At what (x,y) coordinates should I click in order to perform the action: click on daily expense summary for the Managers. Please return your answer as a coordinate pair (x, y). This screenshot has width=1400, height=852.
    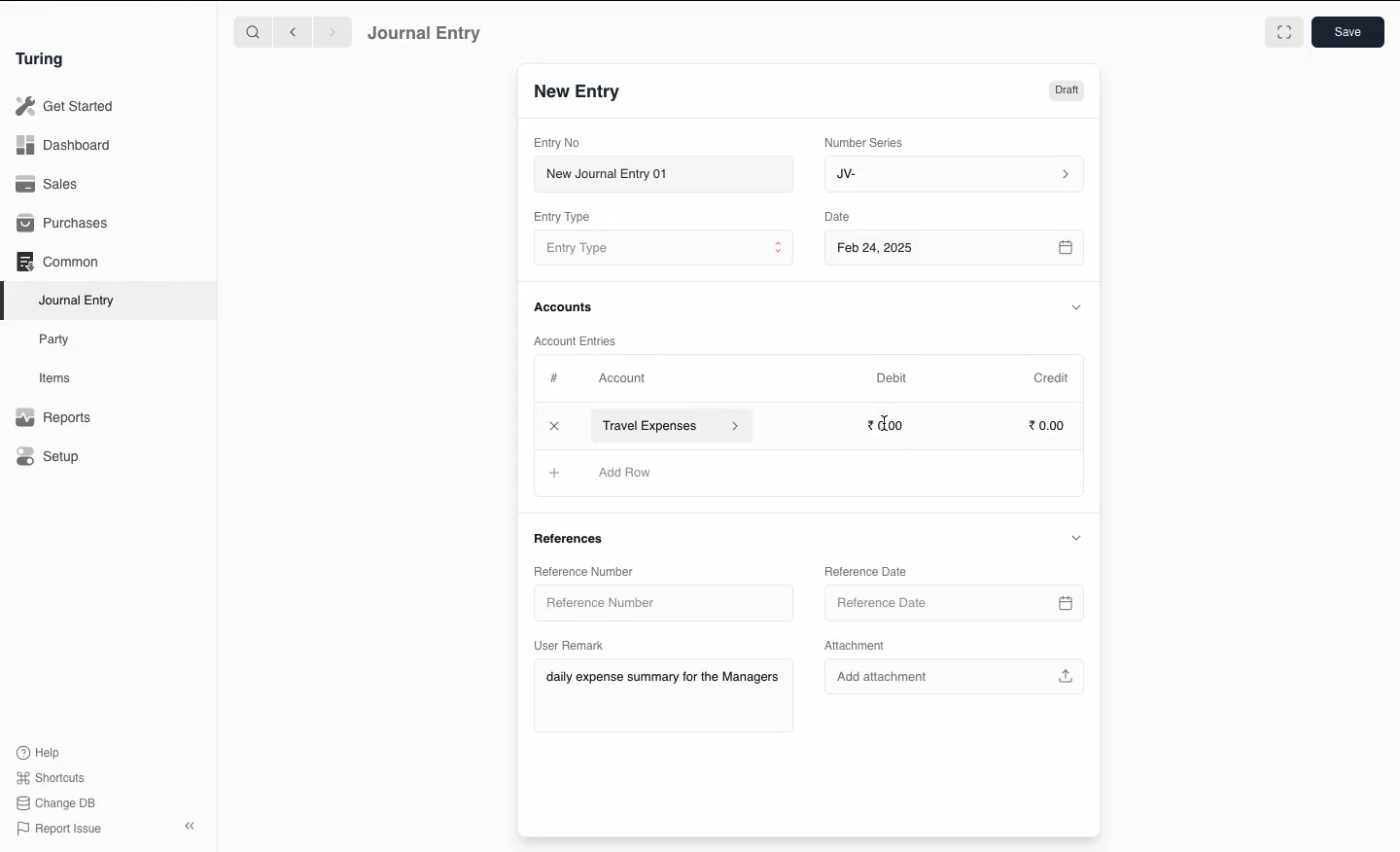
    Looking at the image, I should click on (661, 678).